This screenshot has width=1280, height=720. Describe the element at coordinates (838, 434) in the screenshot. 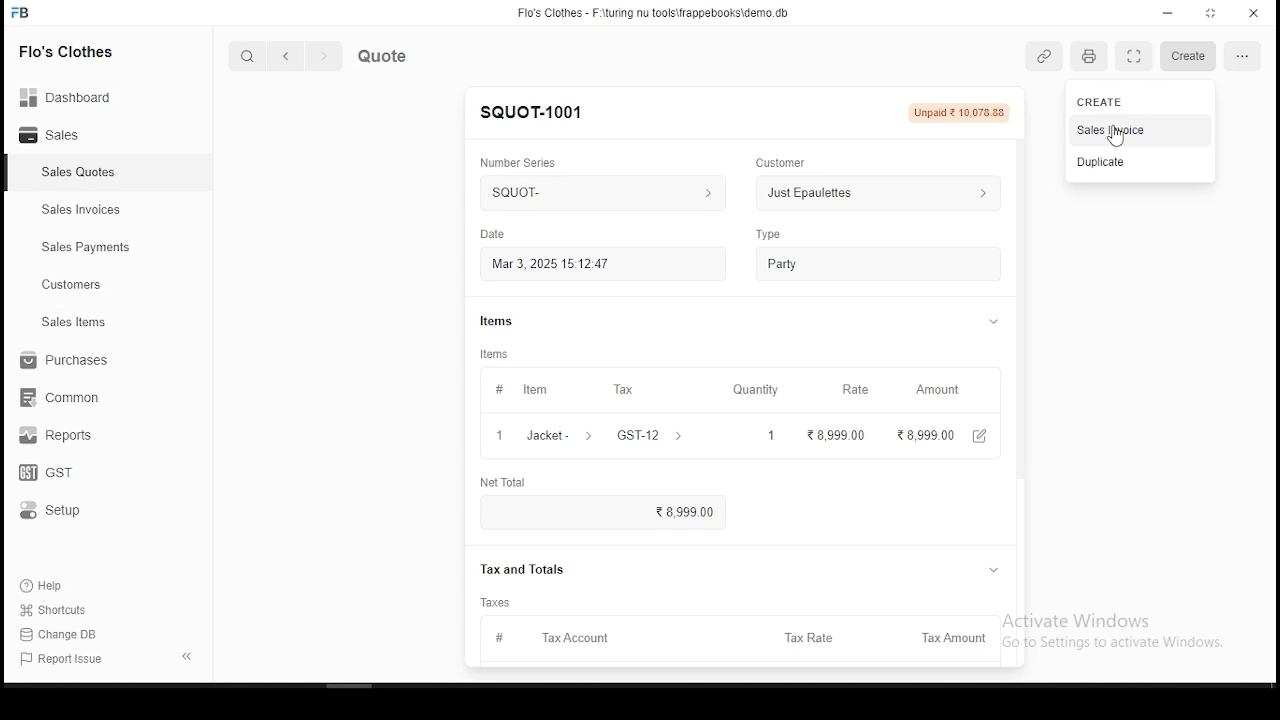

I see `8,999 00` at that location.